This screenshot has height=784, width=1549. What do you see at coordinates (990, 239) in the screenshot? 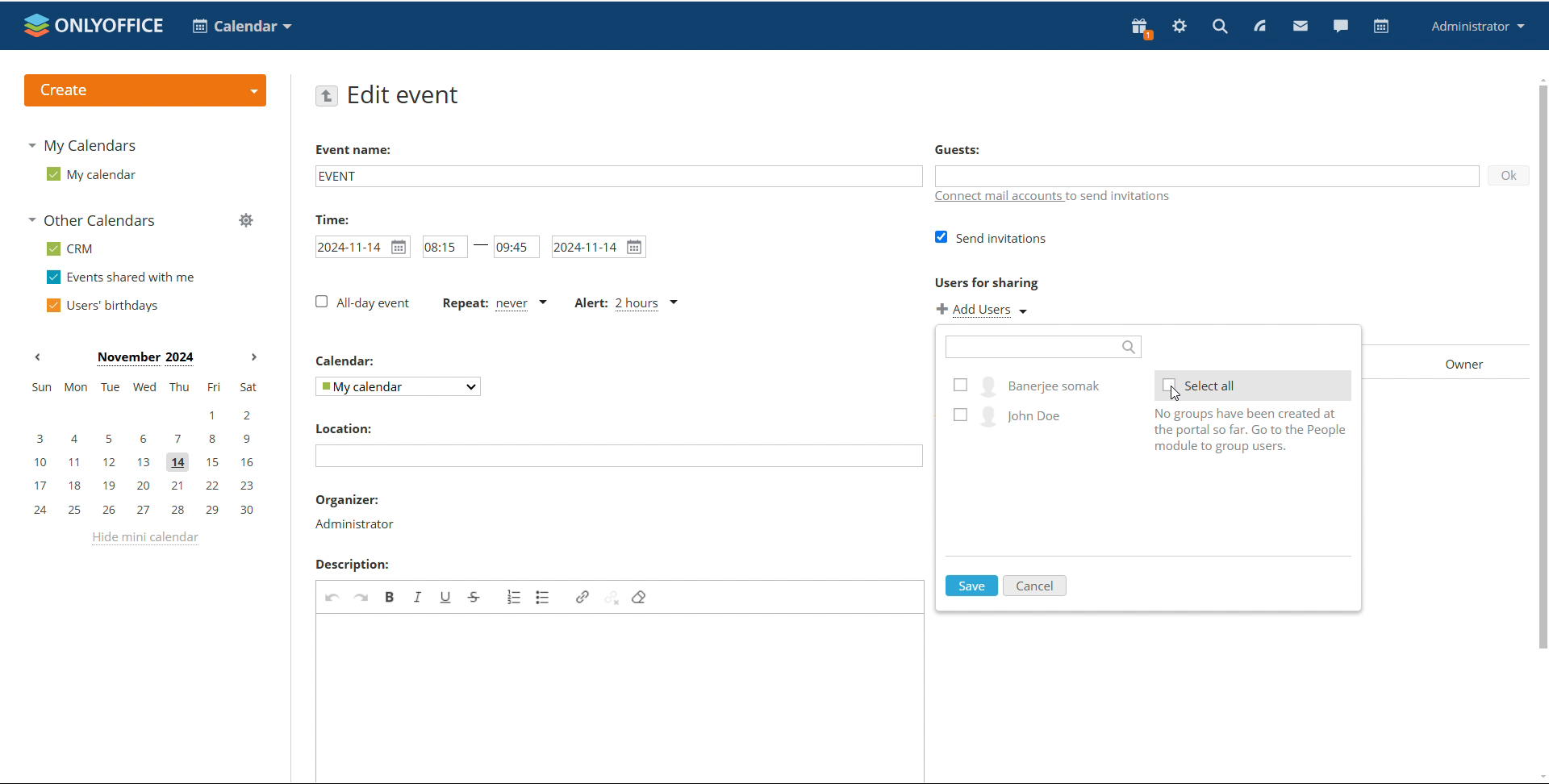
I see `send invitations` at bounding box center [990, 239].